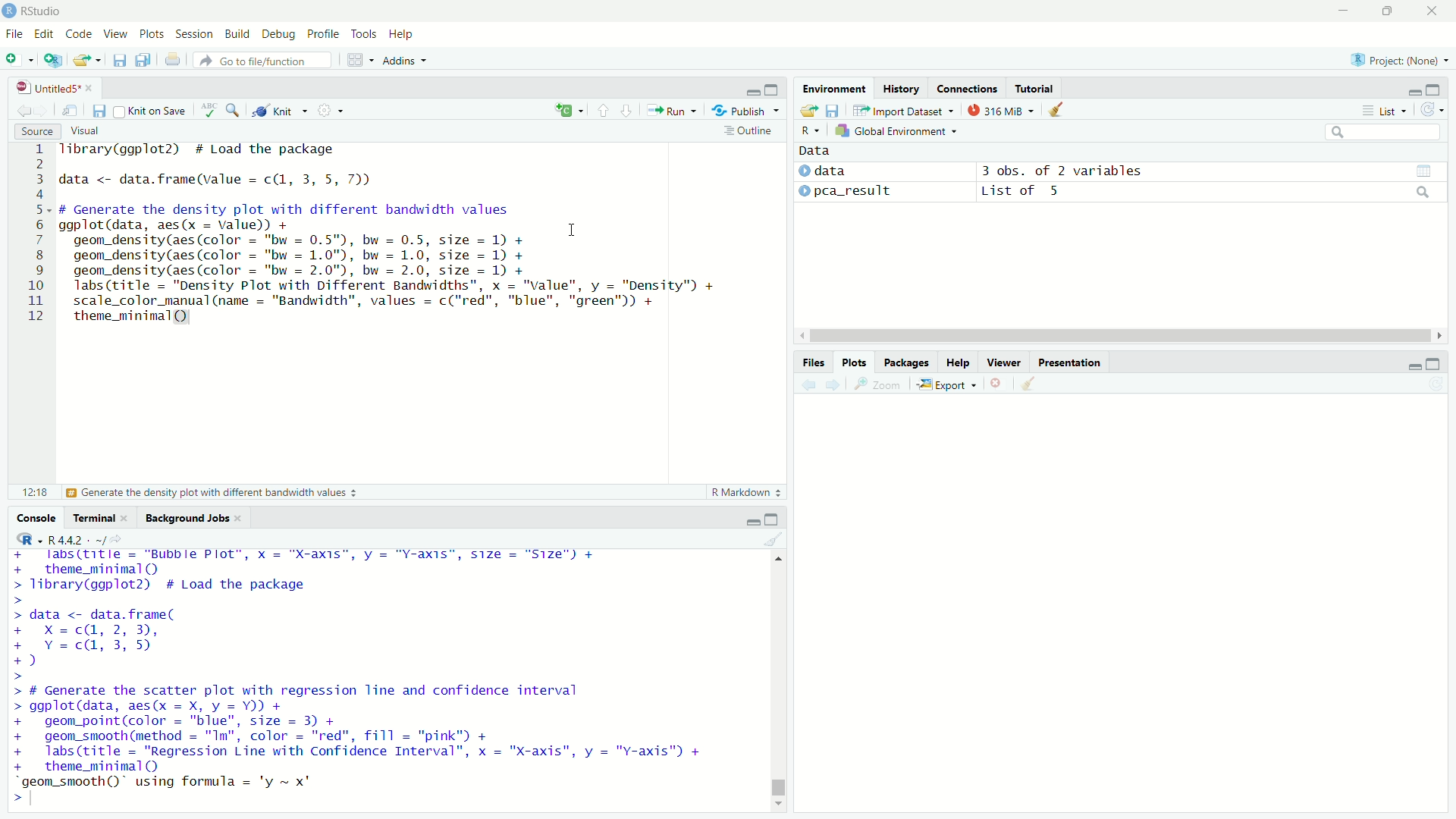  I want to click on pca_result, so click(854, 192).